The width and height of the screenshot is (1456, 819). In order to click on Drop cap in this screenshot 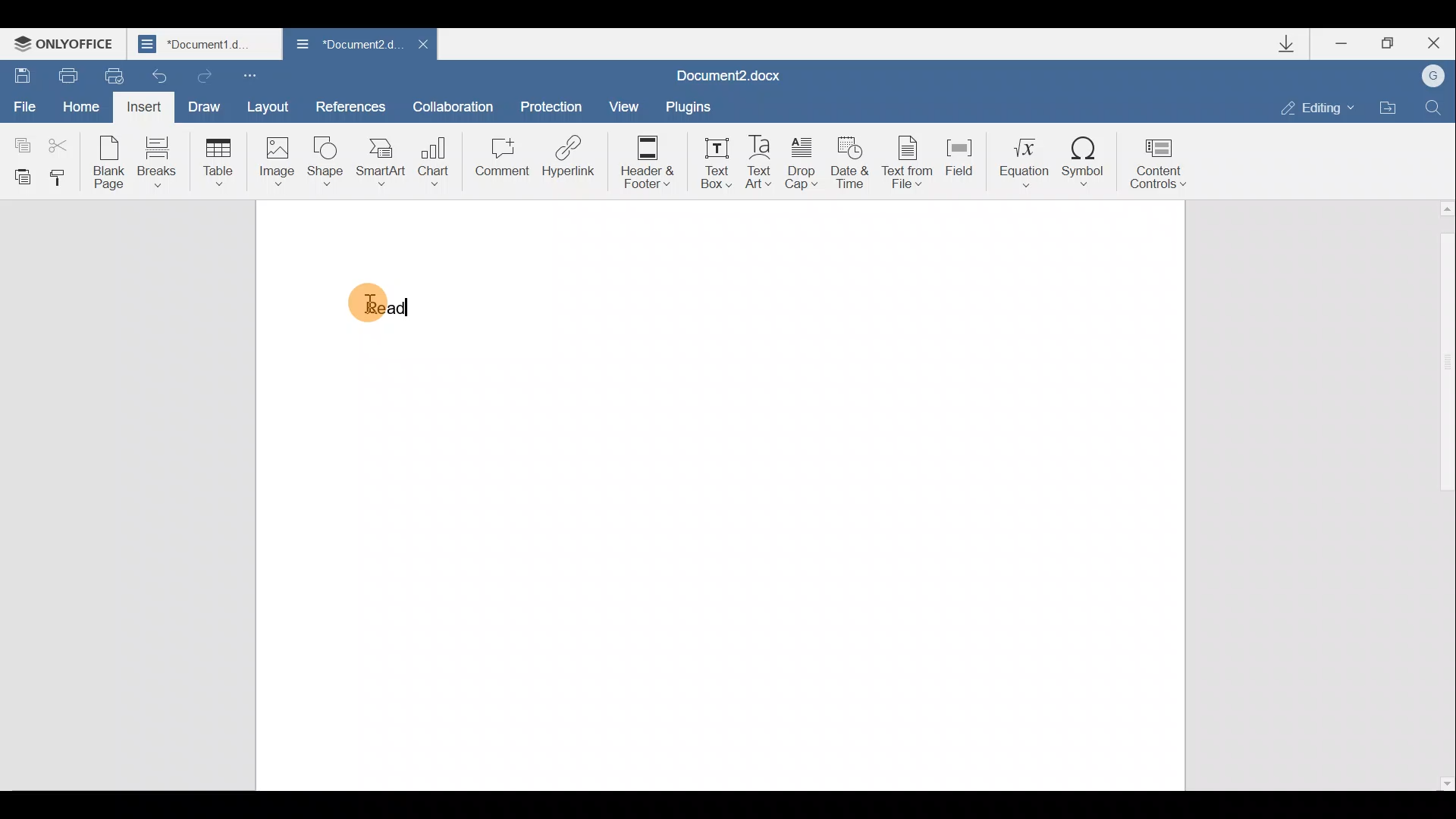, I will do `click(802, 165)`.